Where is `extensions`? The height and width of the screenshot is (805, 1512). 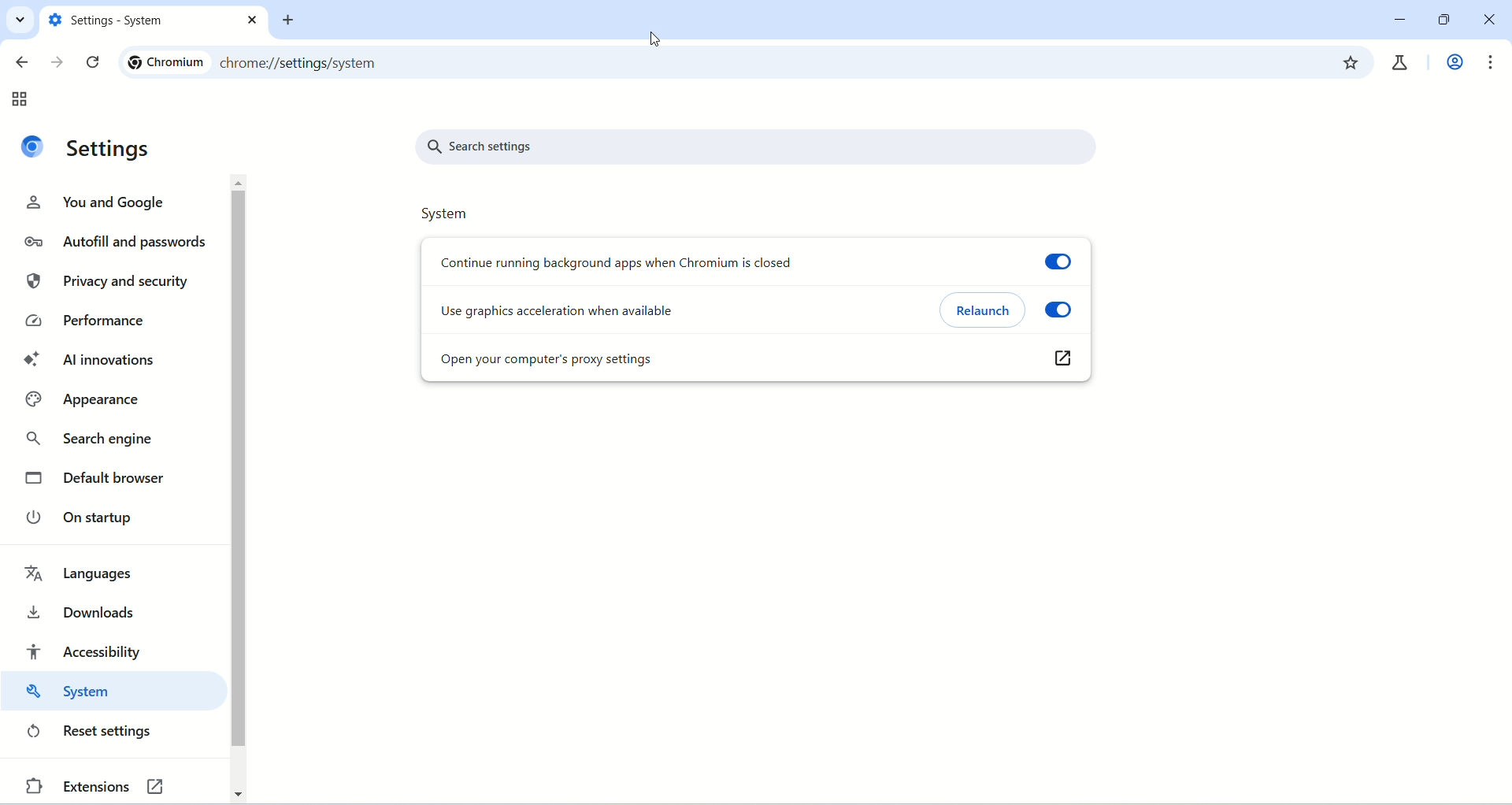 extensions is located at coordinates (76, 789).